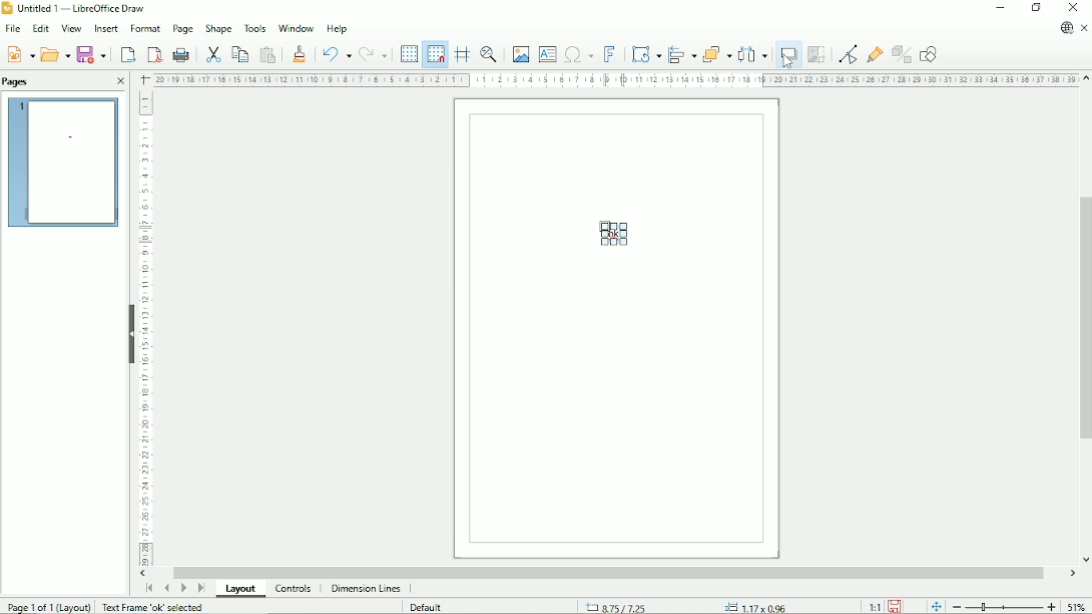  What do you see at coordinates (646, 55) in the screenshot?
I see `Transformations` at bounding box center [646, 55].